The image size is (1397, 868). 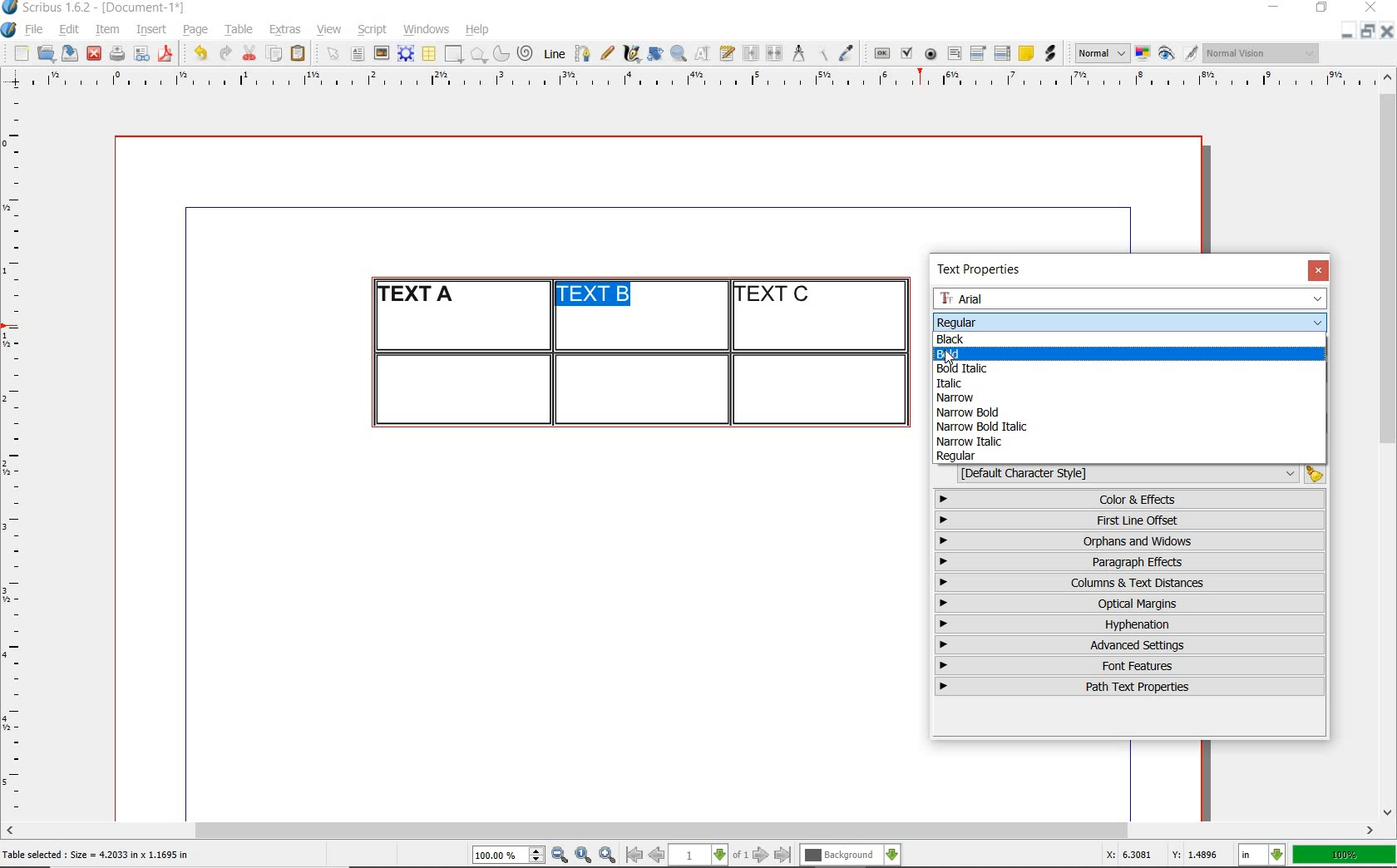 What do you see at coordinates (285, 31) in the screenshot?
I see `extras` at bounding box center [285, 31].